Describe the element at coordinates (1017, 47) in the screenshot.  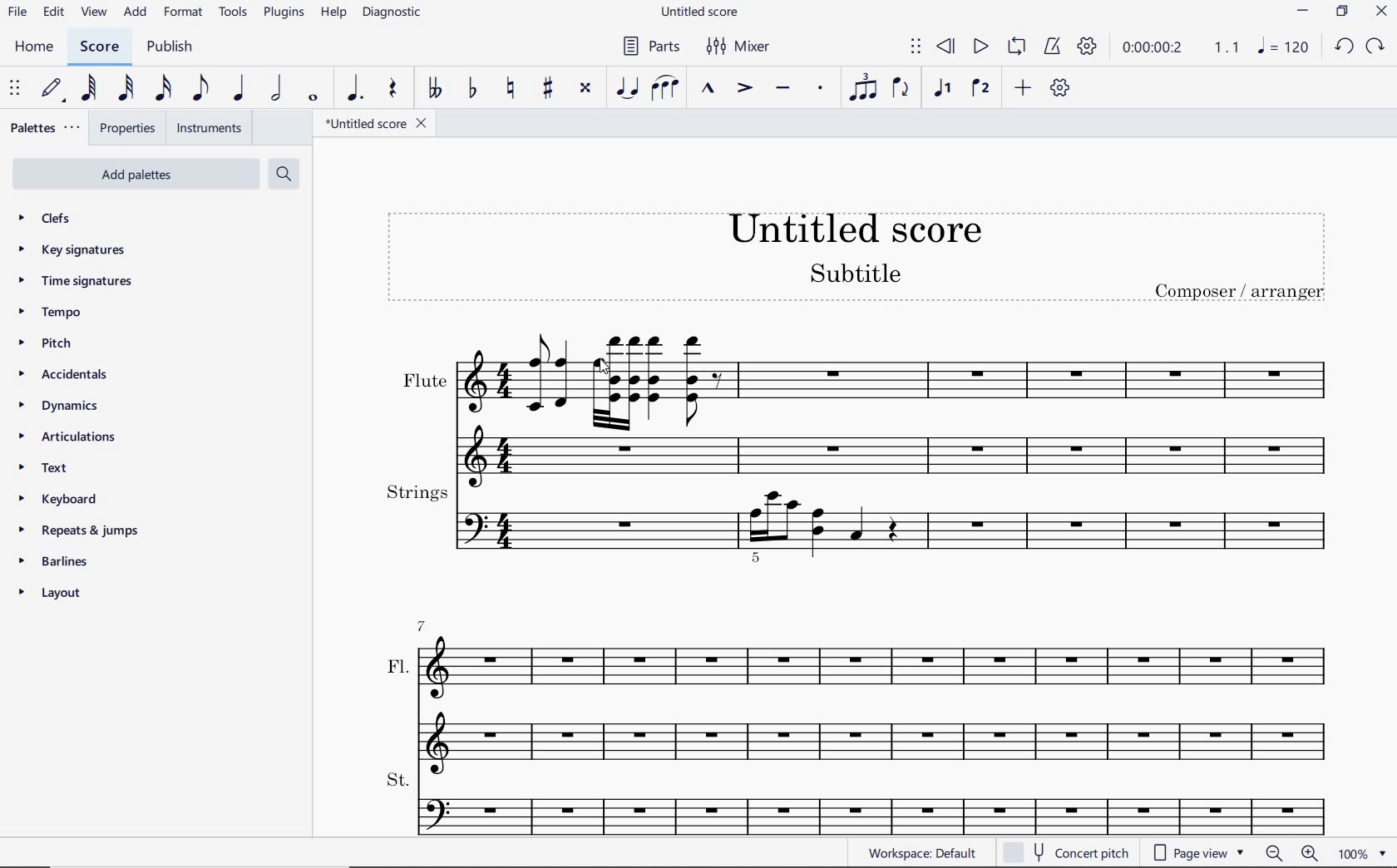
I see `LOOP PLAYBACK` at that location.